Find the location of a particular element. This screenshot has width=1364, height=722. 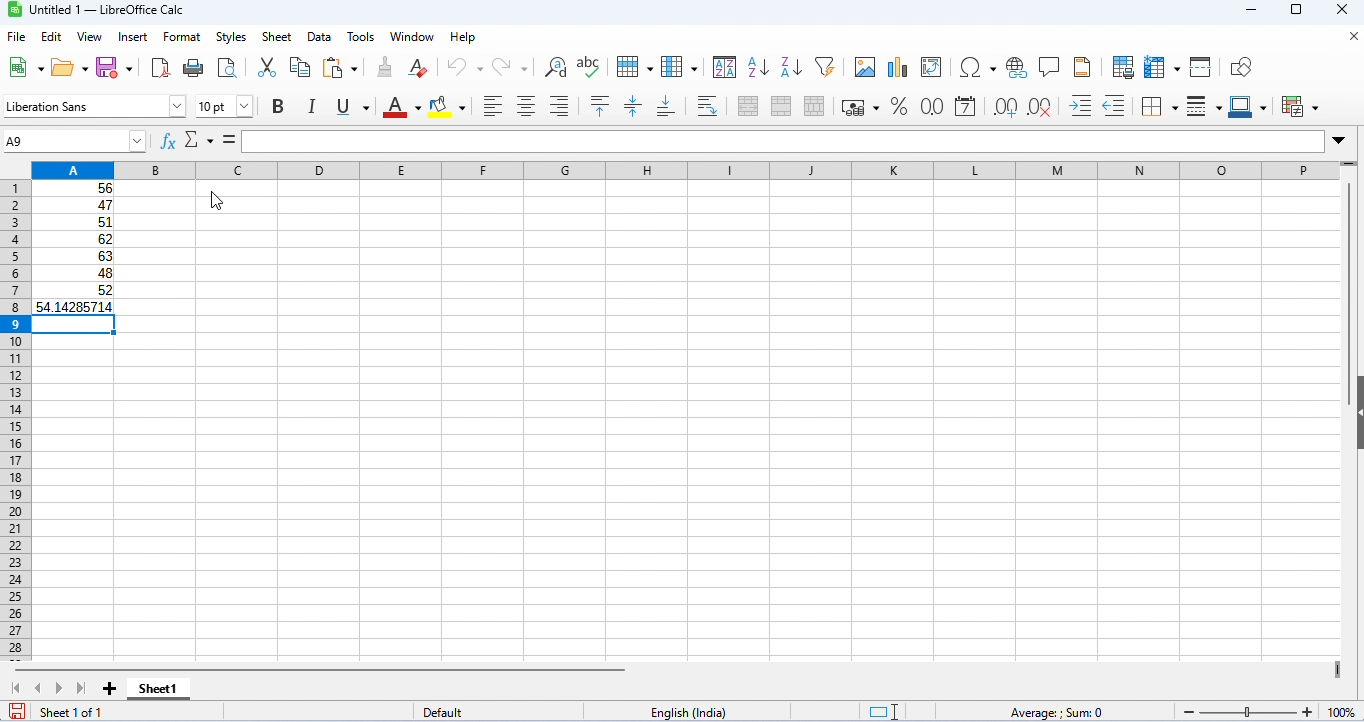

close is located at coordinates (1351, 37).